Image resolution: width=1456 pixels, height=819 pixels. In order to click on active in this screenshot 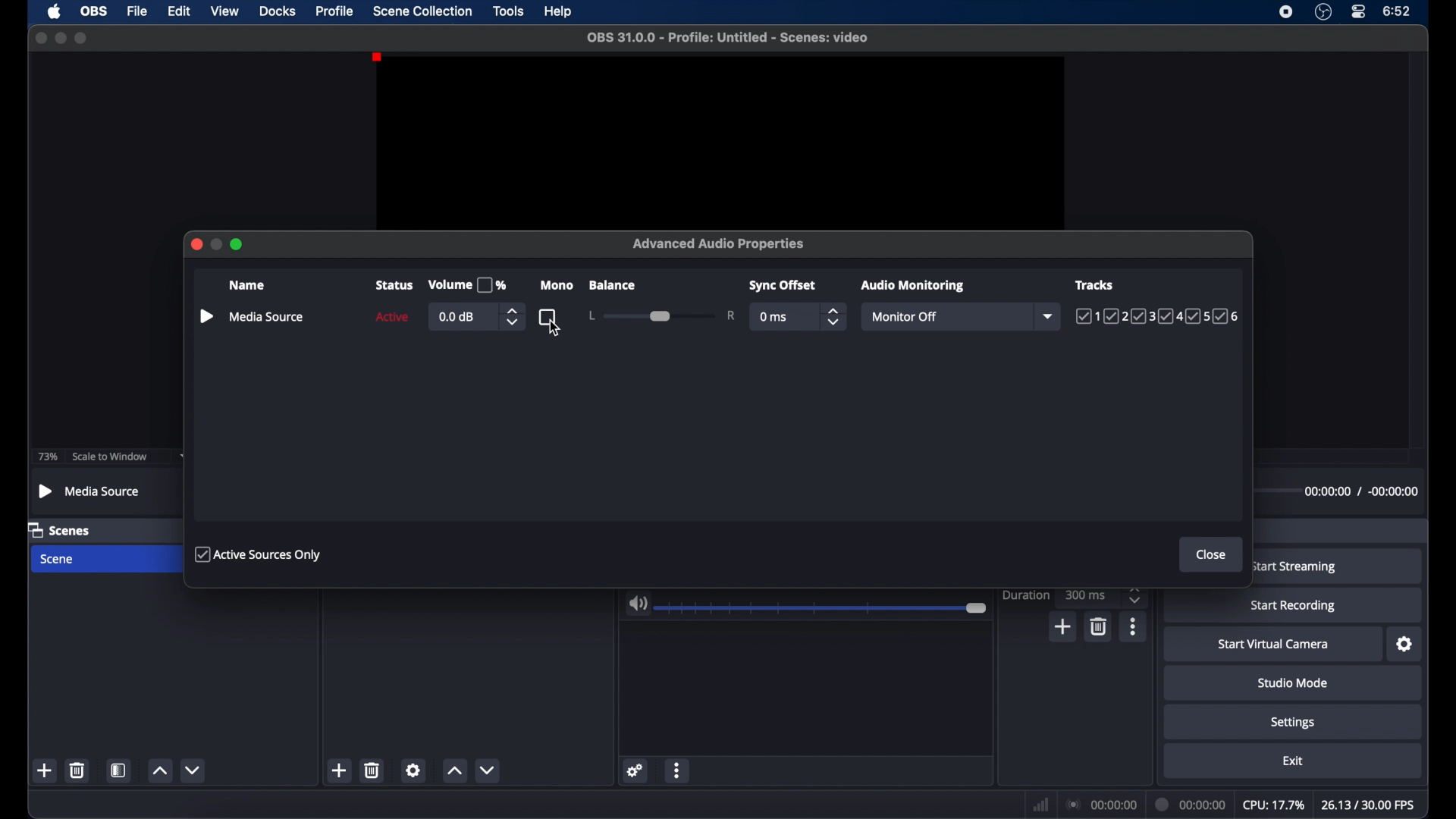, I will do `click(392, 317)`.